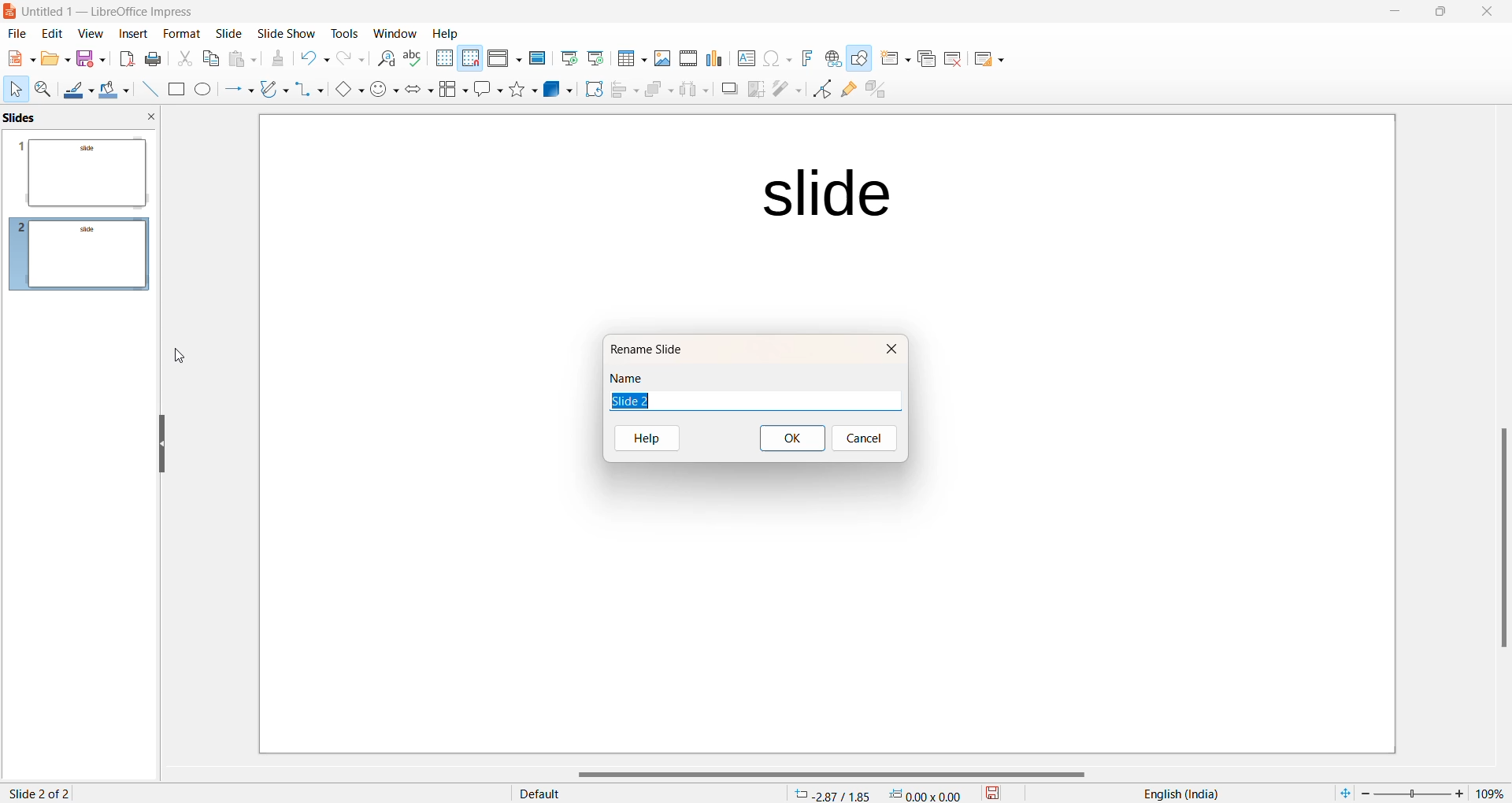 The width and height of the screenshot is (1512, 803). Describe the element at coordinates (384, 90) in the screenshot. I see `symbol shapes` at that location.